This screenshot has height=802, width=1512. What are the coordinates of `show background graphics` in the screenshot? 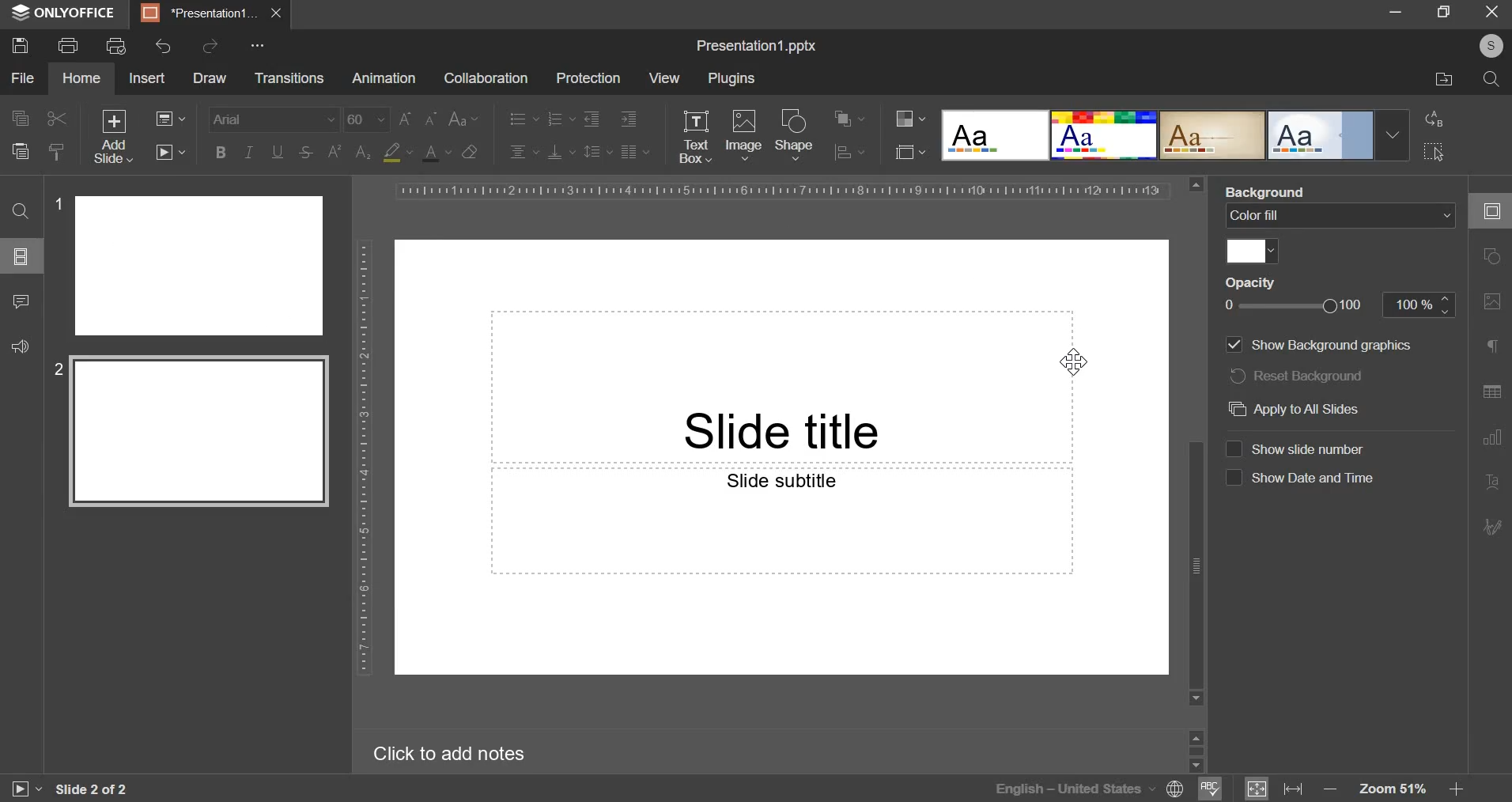 It's located at (1318, 344).